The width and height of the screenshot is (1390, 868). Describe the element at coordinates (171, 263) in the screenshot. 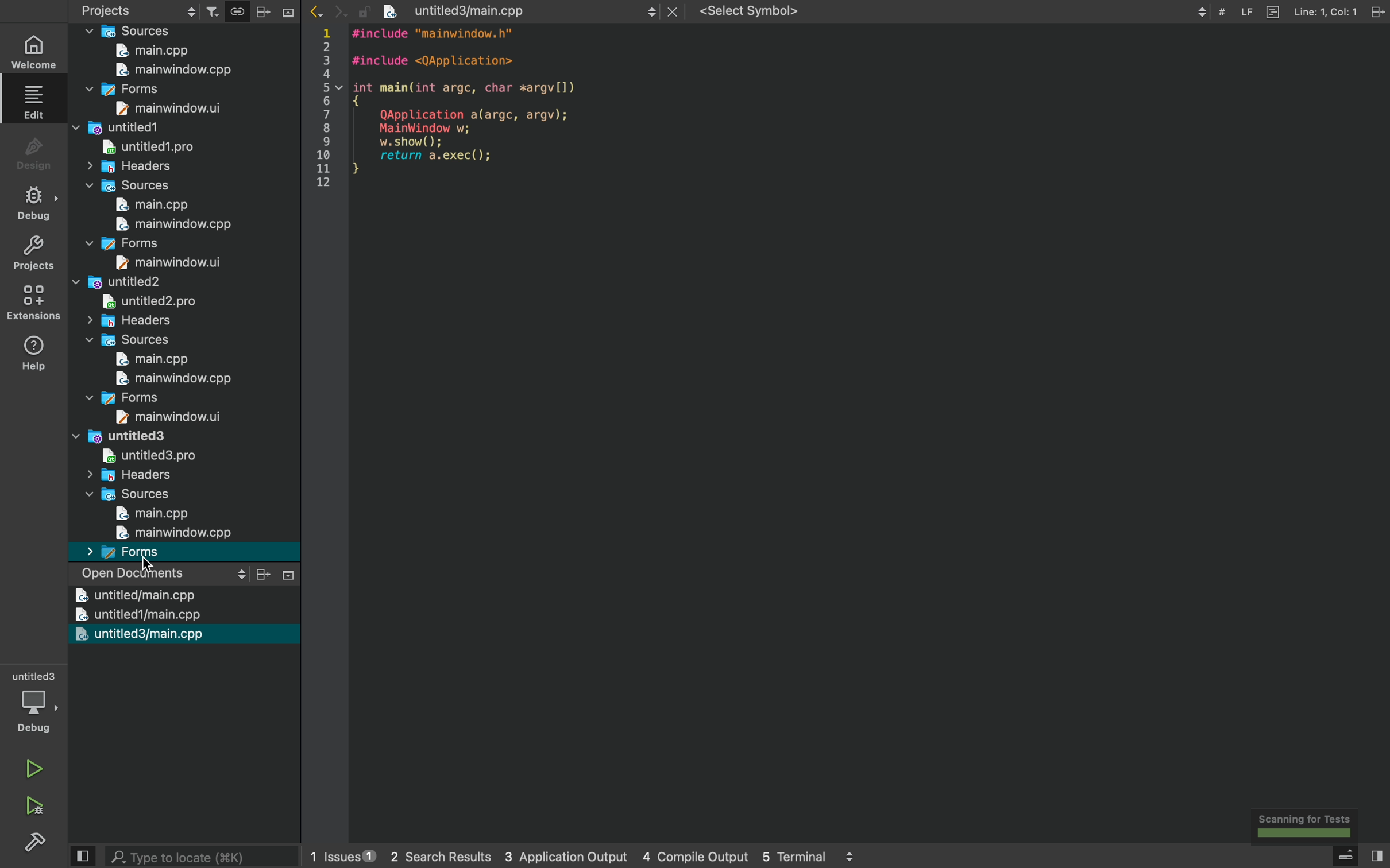

I see `mainwindow` at that location.